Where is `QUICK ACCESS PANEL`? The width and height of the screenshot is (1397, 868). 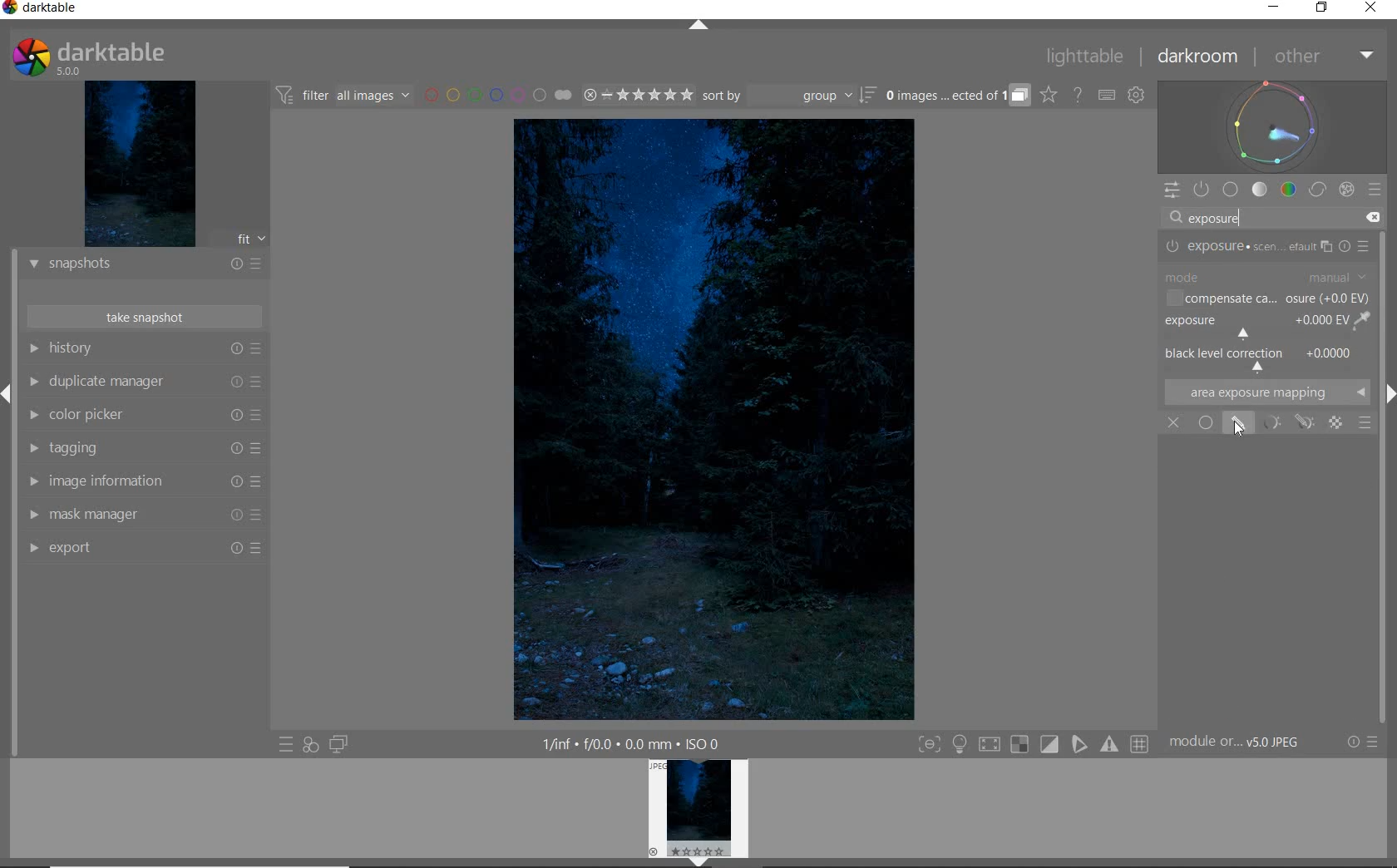
QUICK ACCESS PANEL is located at coordinates (1170, 190).